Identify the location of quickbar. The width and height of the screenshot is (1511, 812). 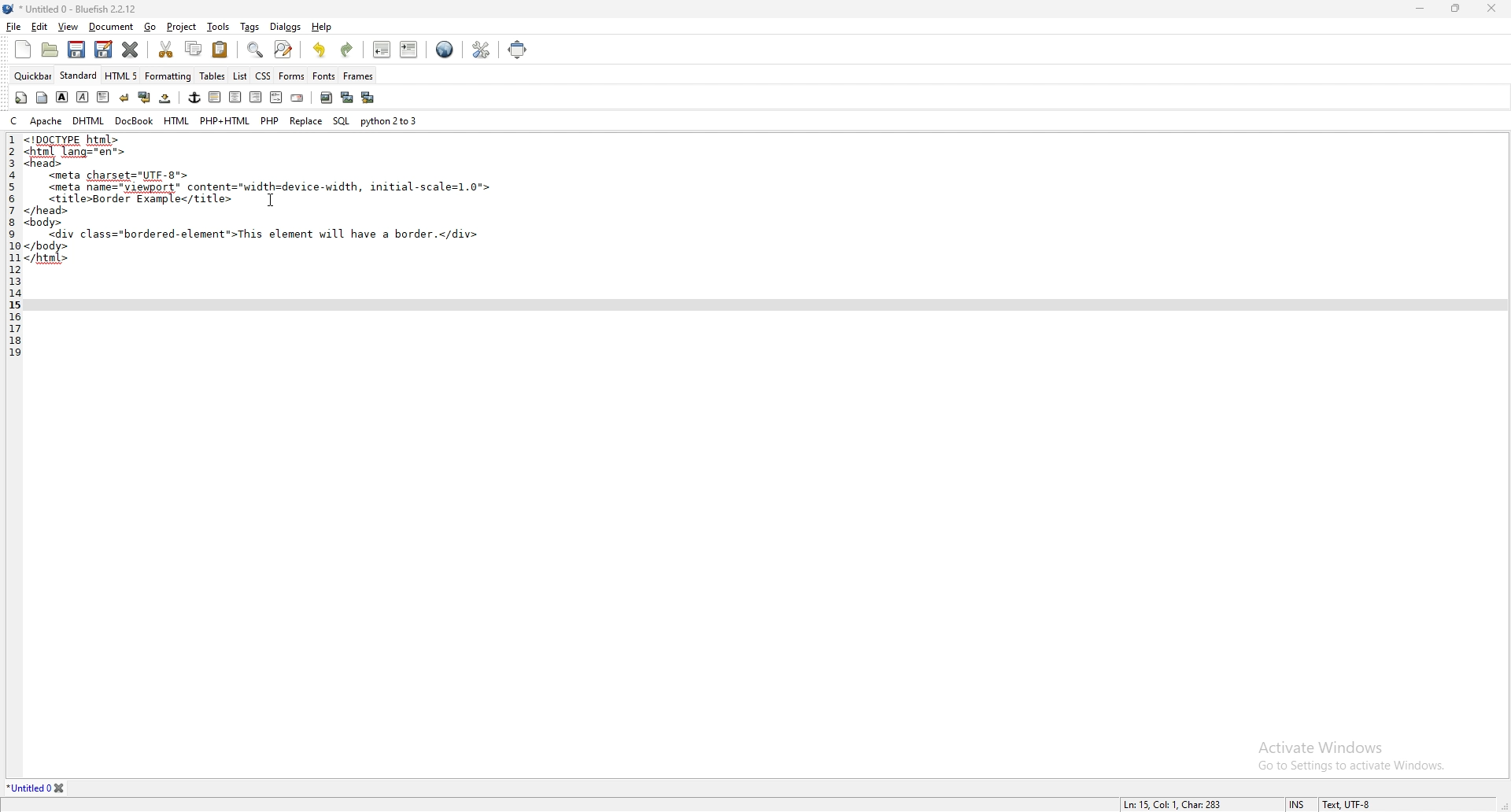
(33, 76).